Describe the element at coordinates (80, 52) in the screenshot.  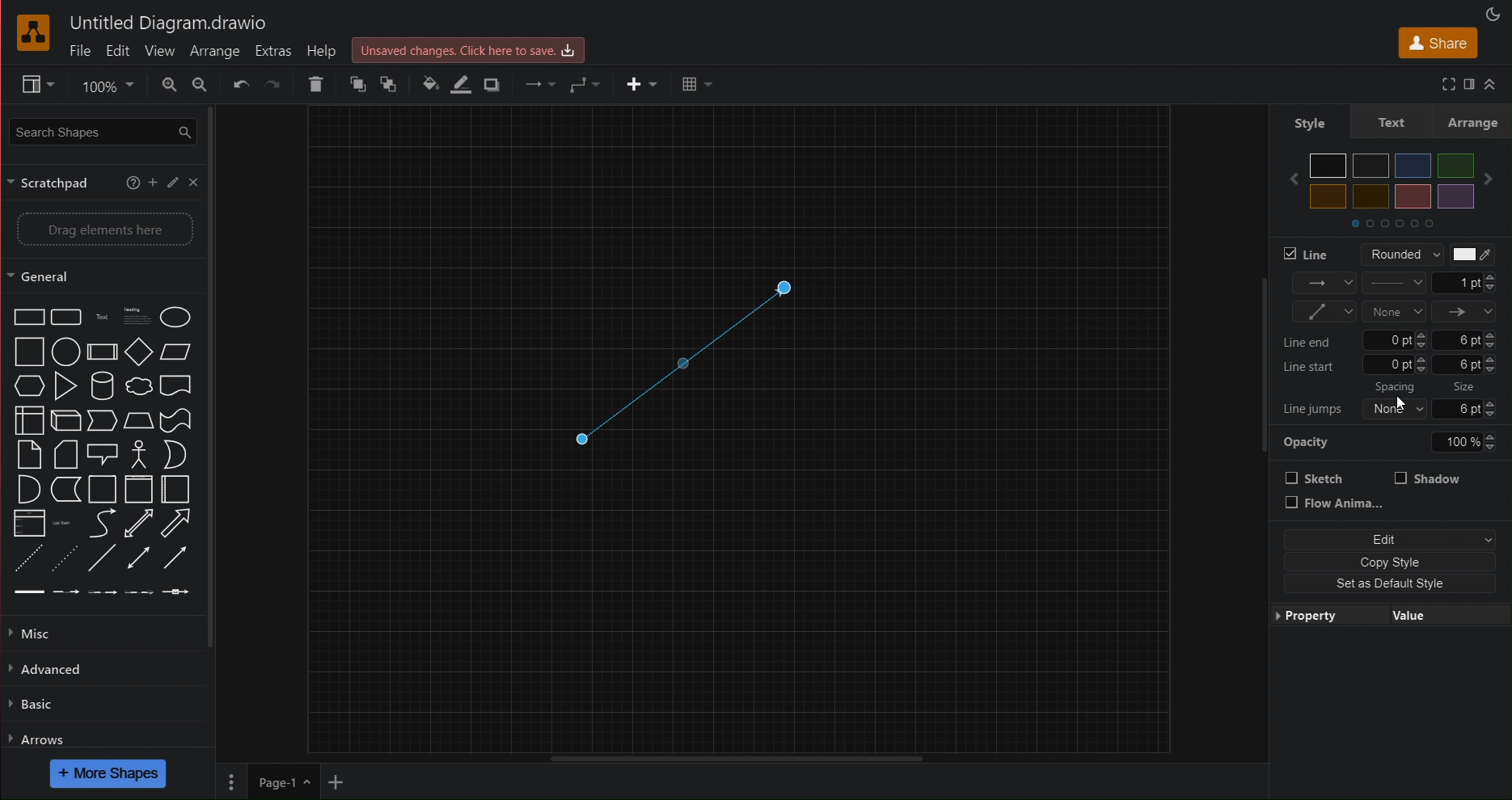
I see `File` at that location.